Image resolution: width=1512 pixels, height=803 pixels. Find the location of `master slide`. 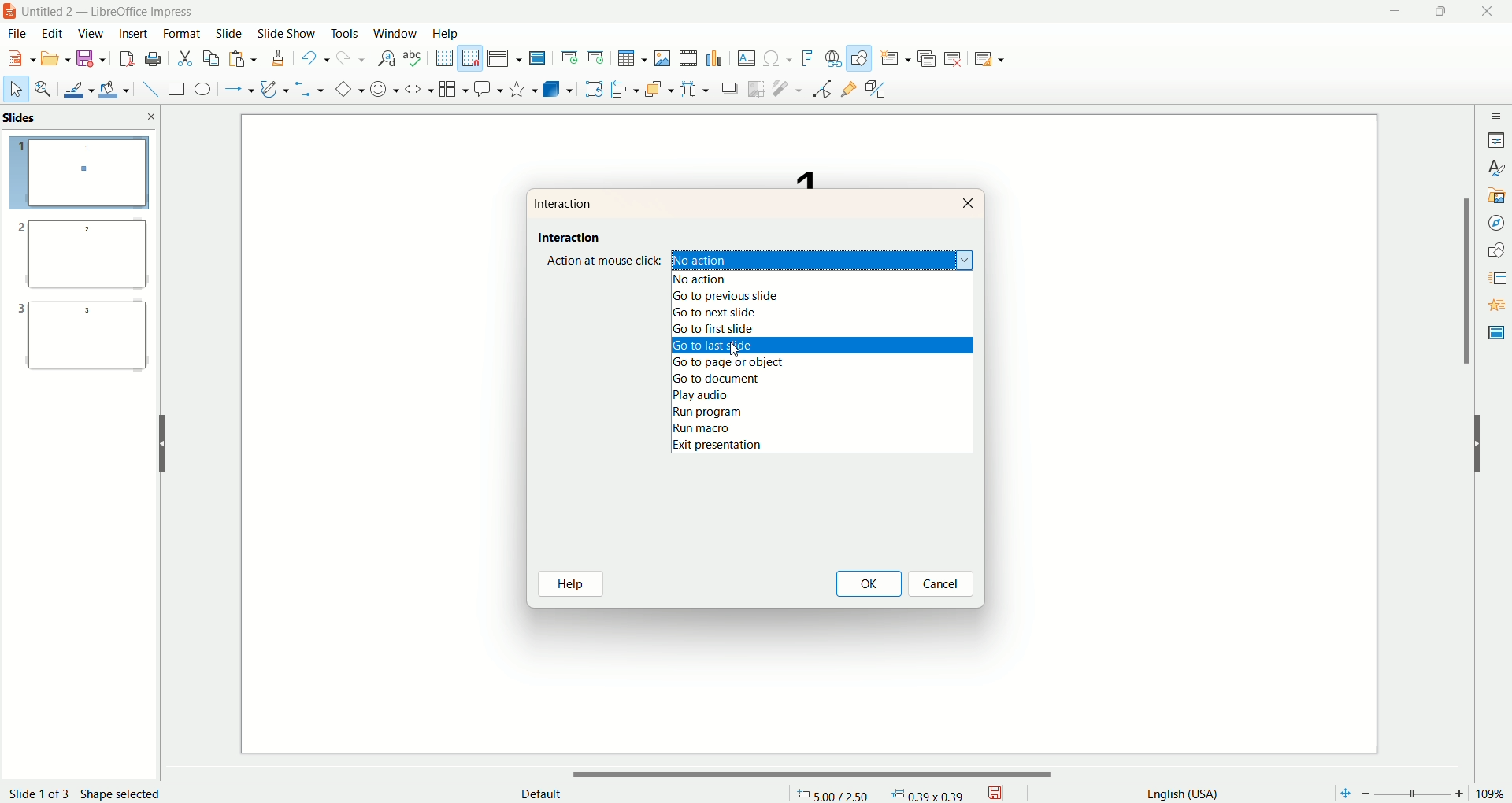

master slide is located at coordinates (539, 58).